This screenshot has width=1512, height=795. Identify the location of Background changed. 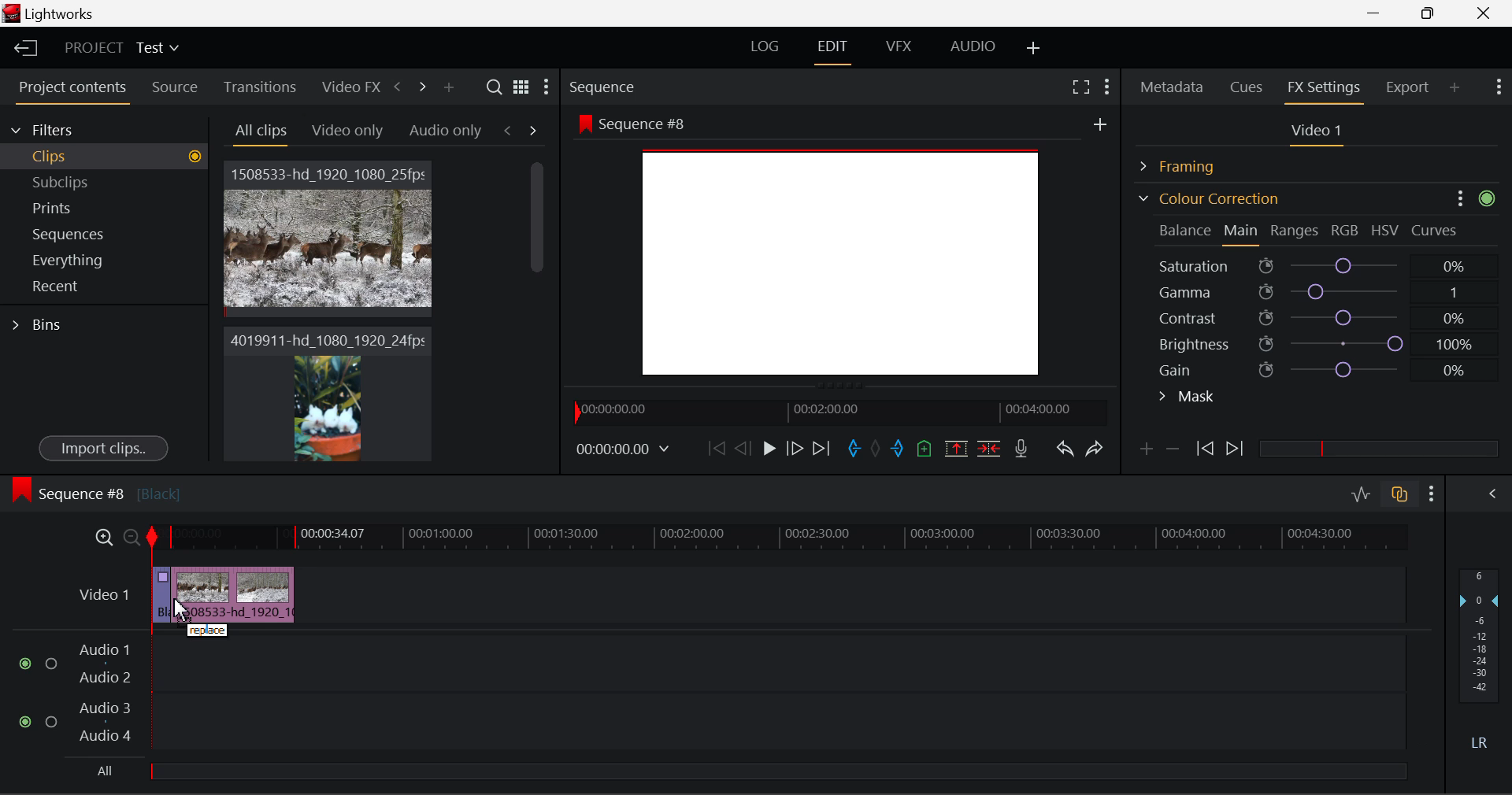
(841, 249).